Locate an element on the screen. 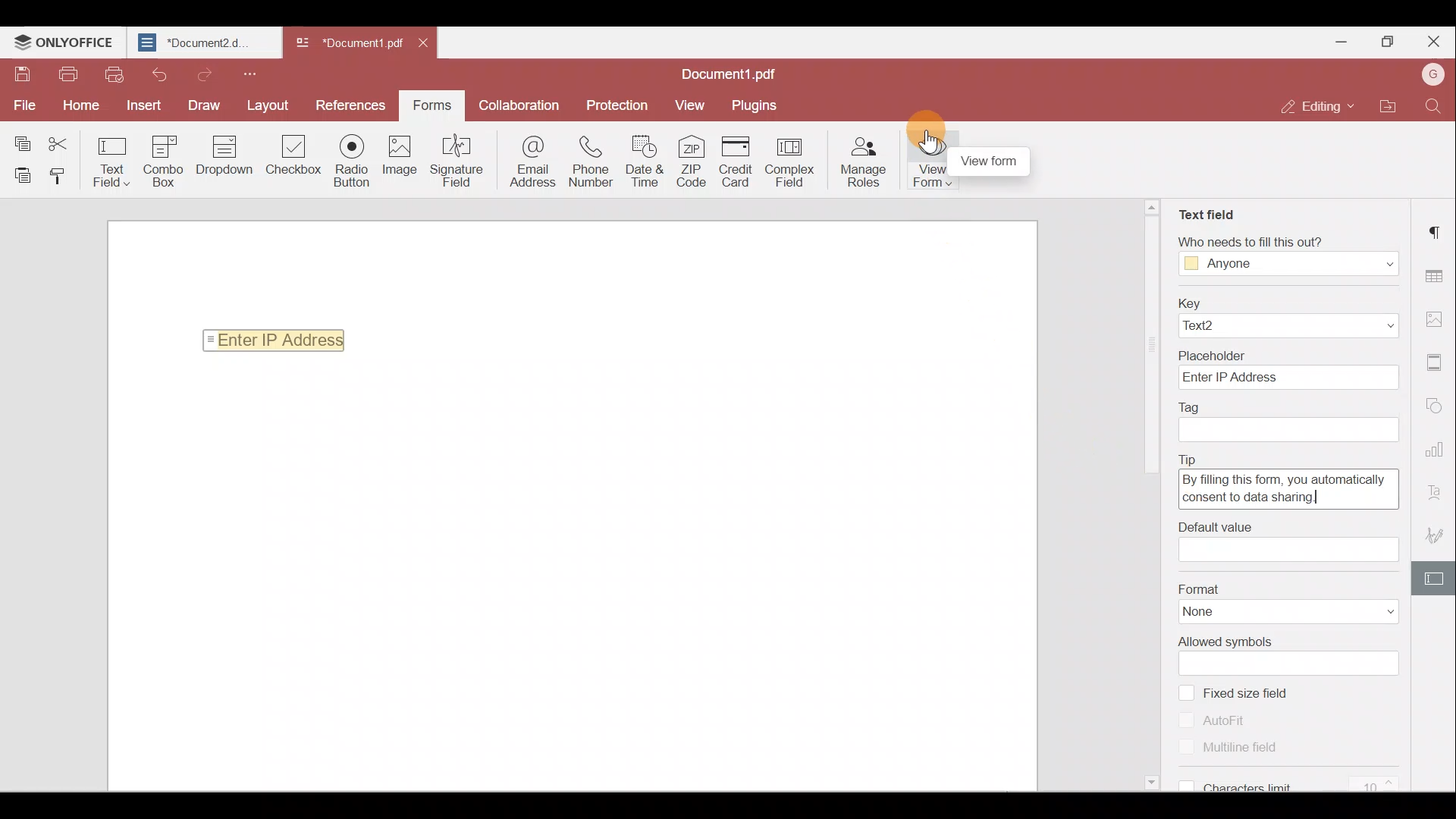 This screenshot has height=819, width=1456. Editing mode is located at coordinates (1310, 108).